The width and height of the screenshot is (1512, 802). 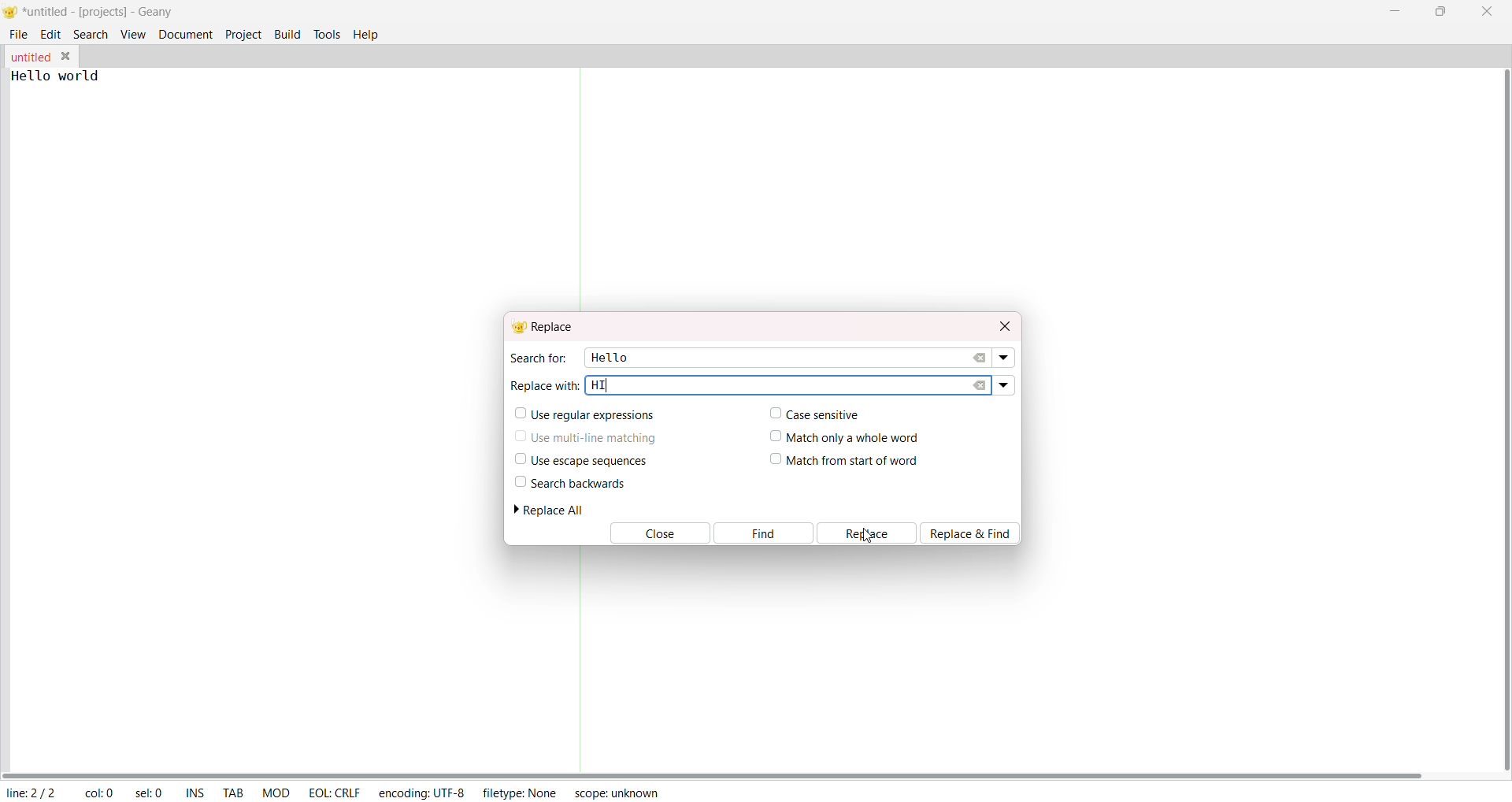 I want to click on tools, so click(x=328, y=33).